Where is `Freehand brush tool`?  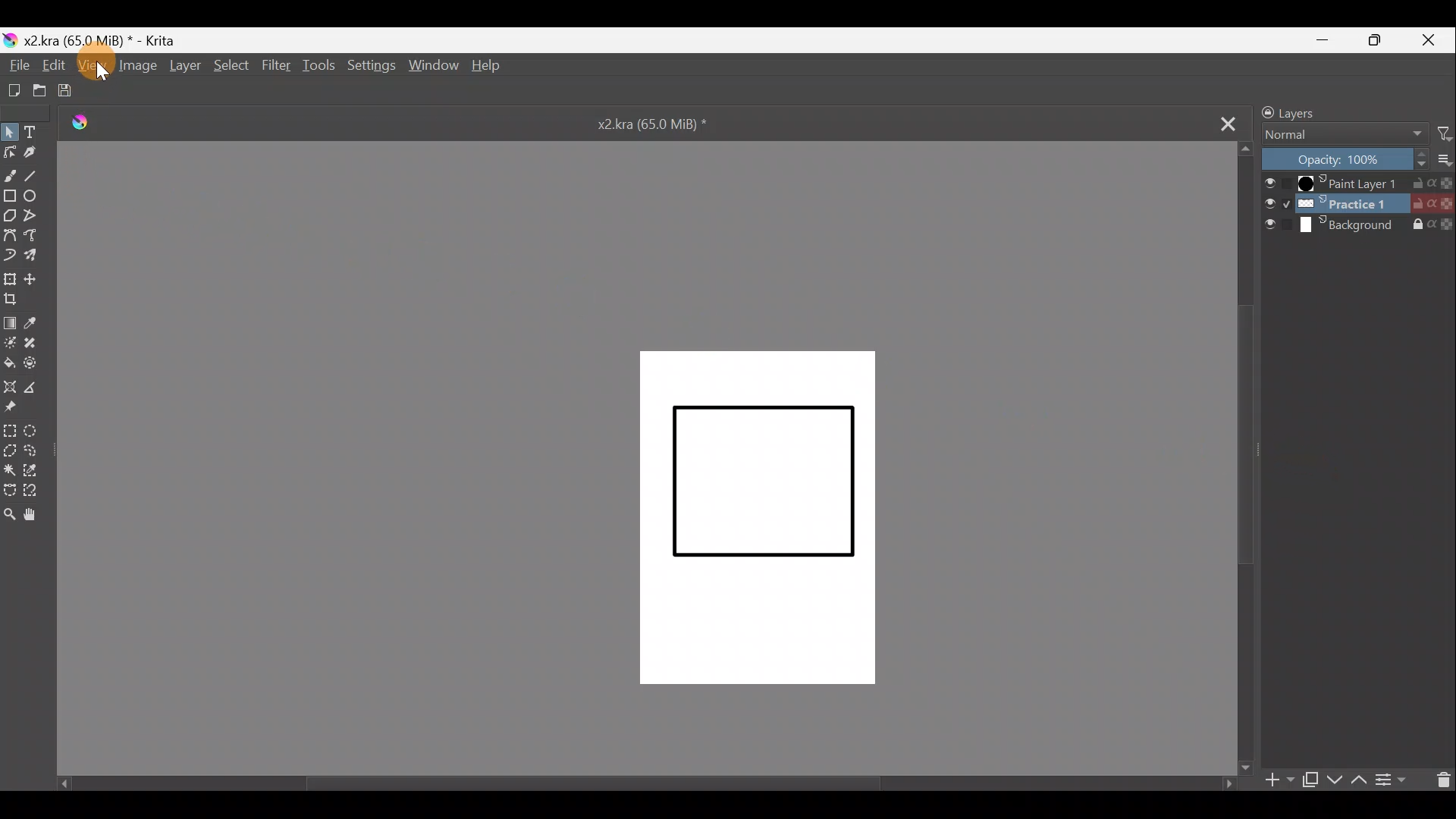
Freehand brush tool is located at coordinates (10, 171).